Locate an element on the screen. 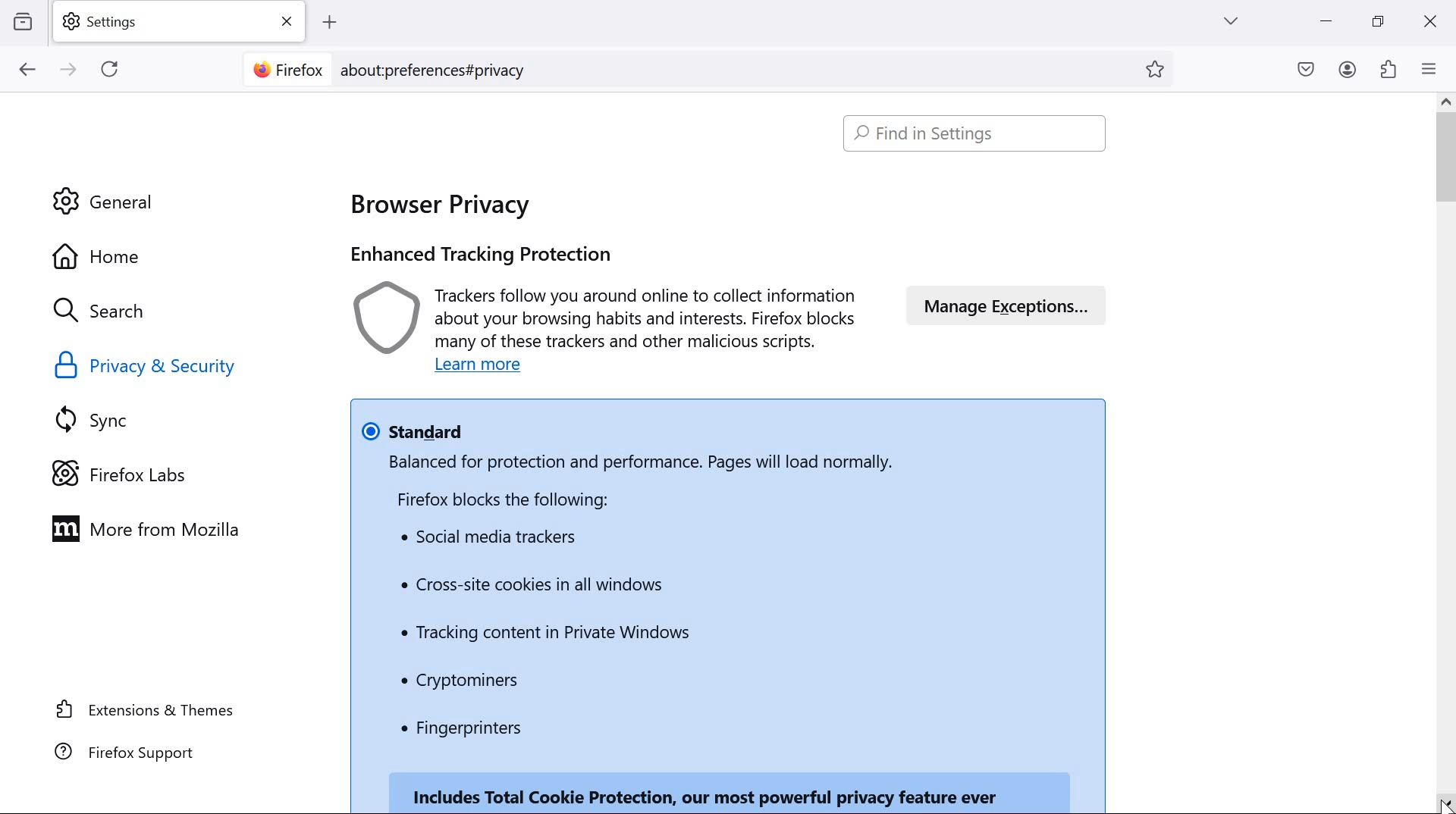 Image resolution: width=1456 pixels, height=814 pixels.  standard is located at coordinates (491, 424).